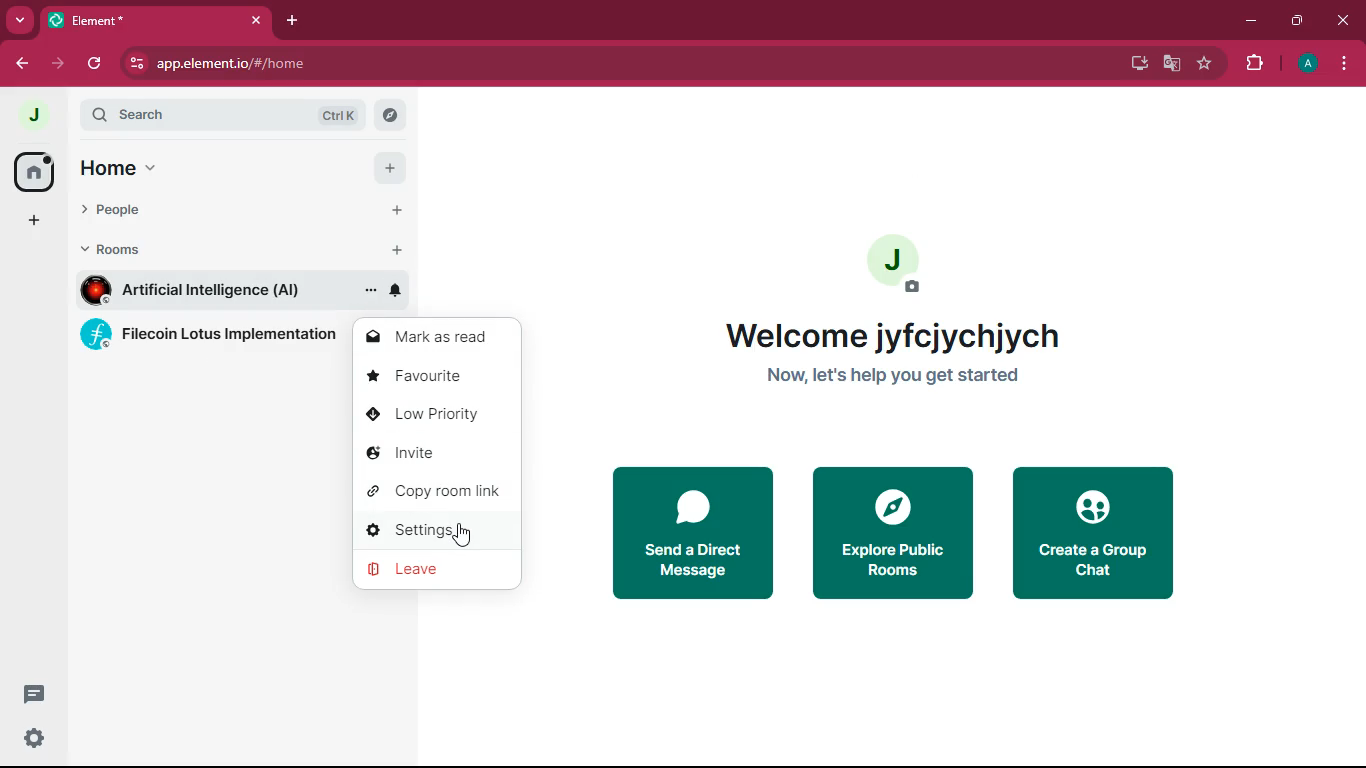 The width and height of the screenshot is (1366, 768). Describe the element at coordinates (226, 117) in the screenshot. I see `search` at that location.